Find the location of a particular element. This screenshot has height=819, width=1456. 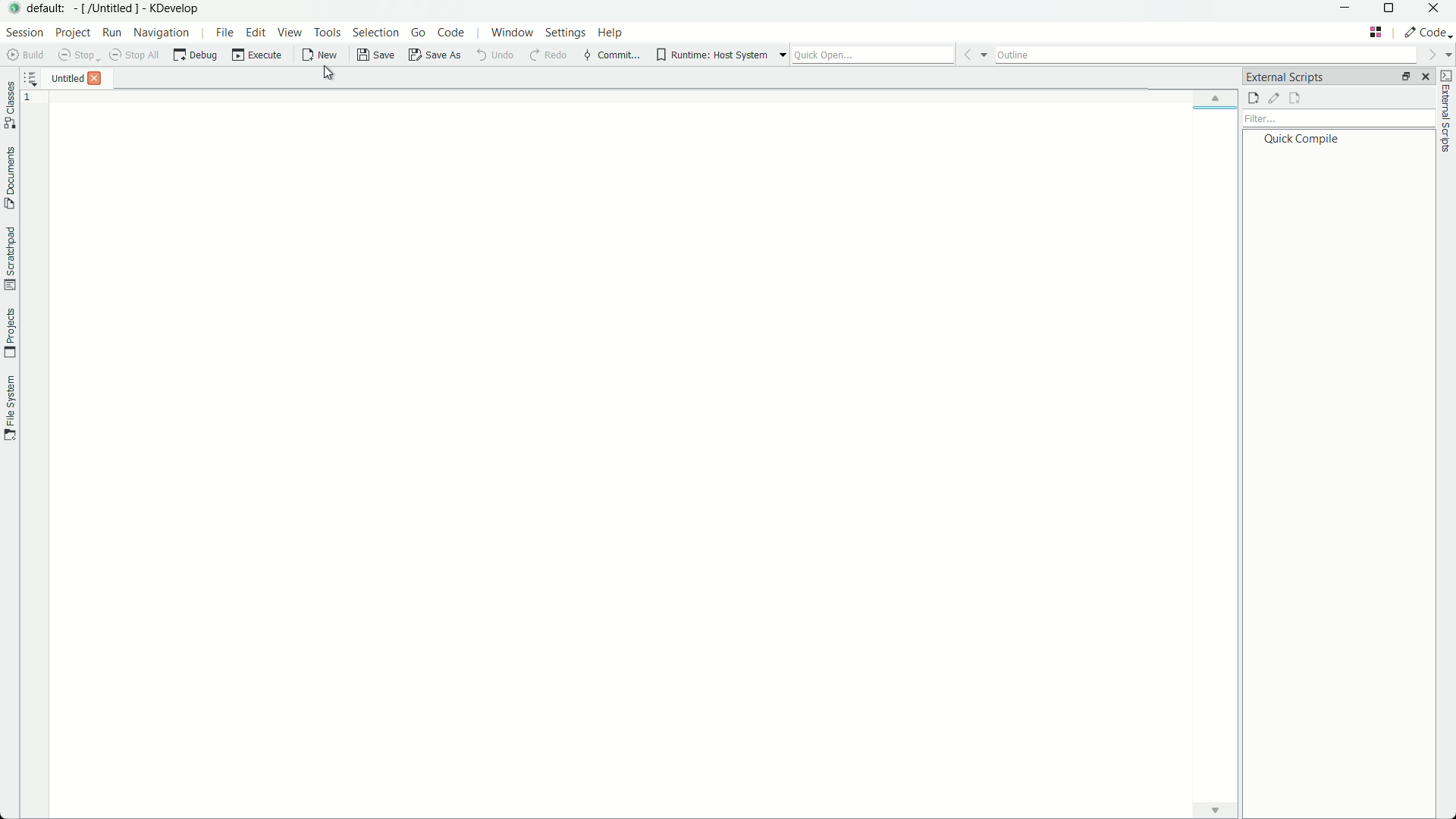

document is located at coordinates (9, 179).